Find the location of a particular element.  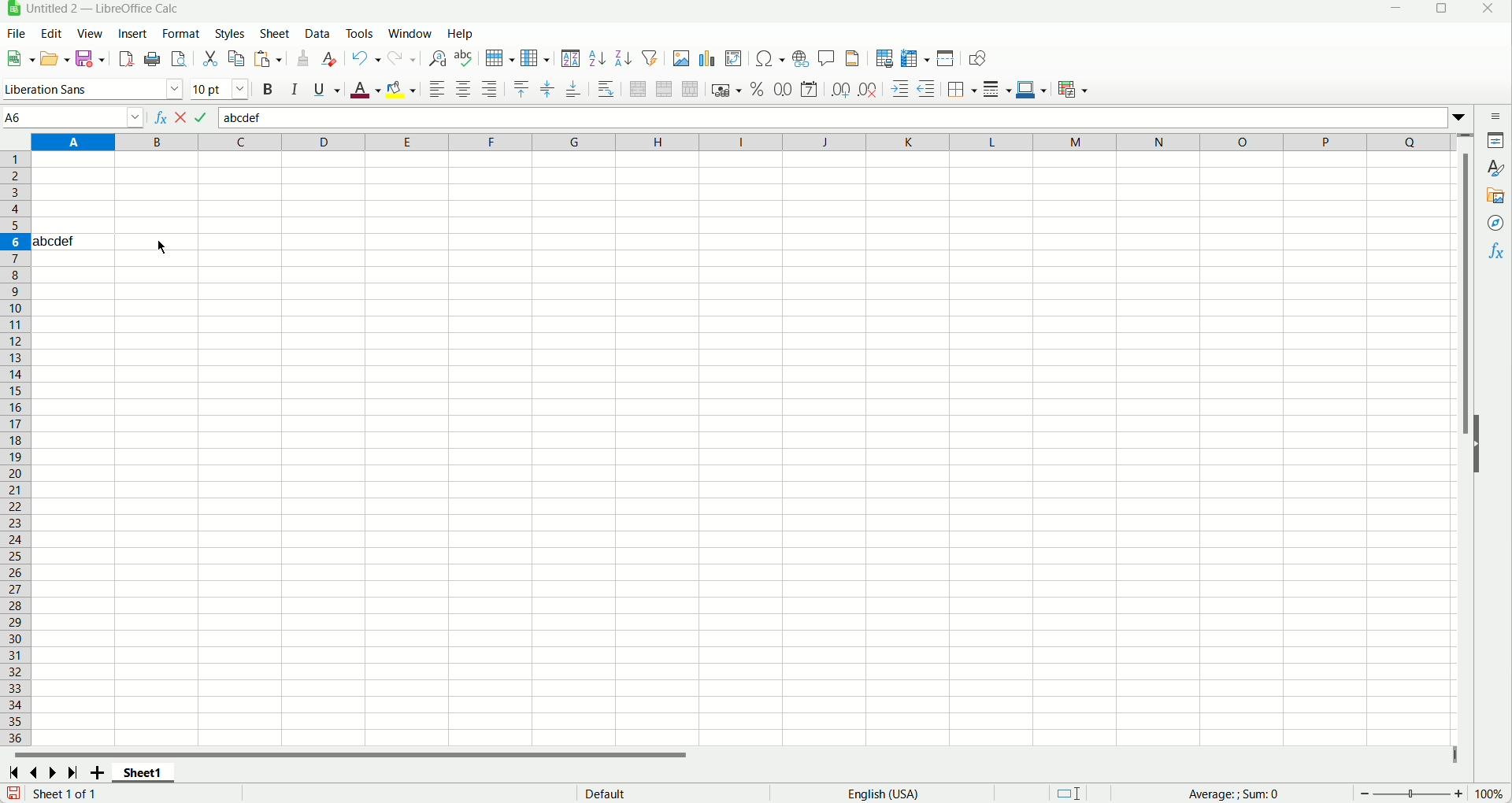

hide is located at coordinates (1479, 446).